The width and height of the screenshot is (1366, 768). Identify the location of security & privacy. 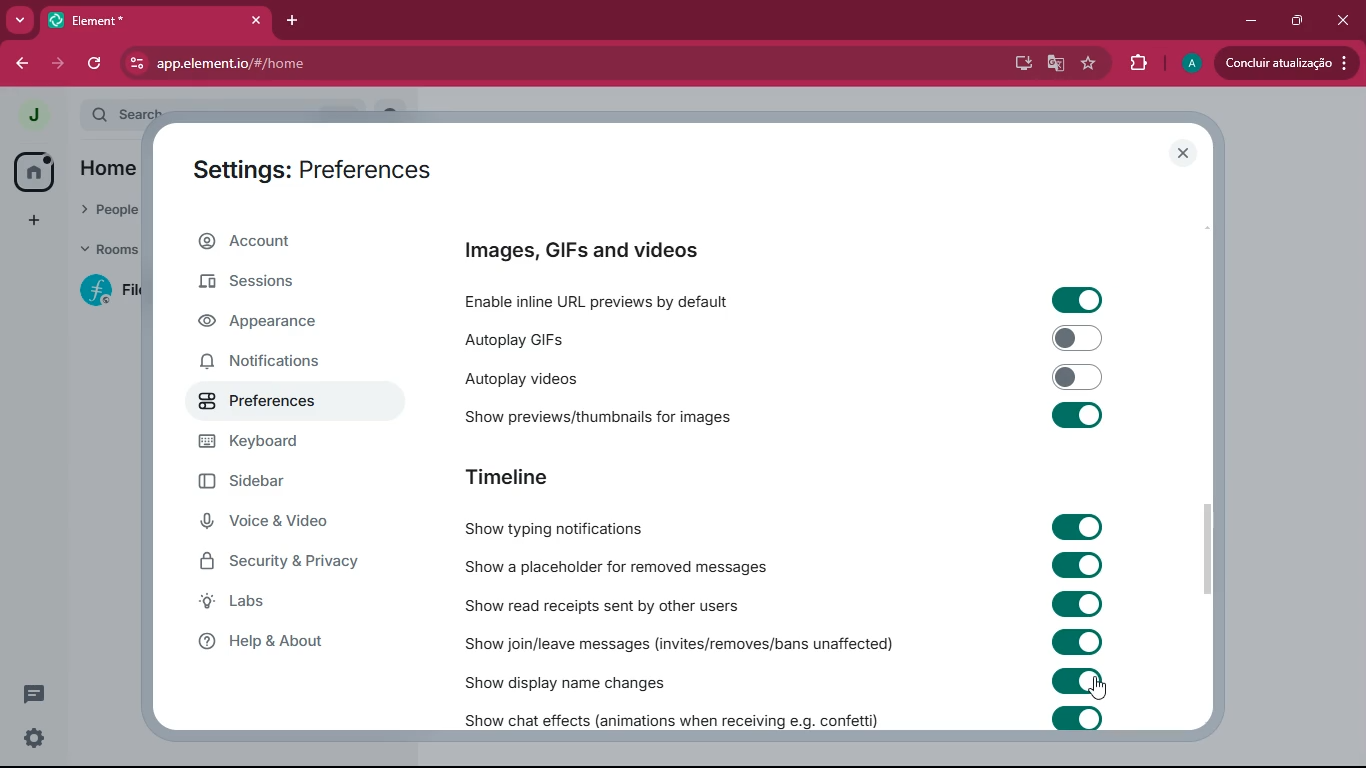
(283, 562).